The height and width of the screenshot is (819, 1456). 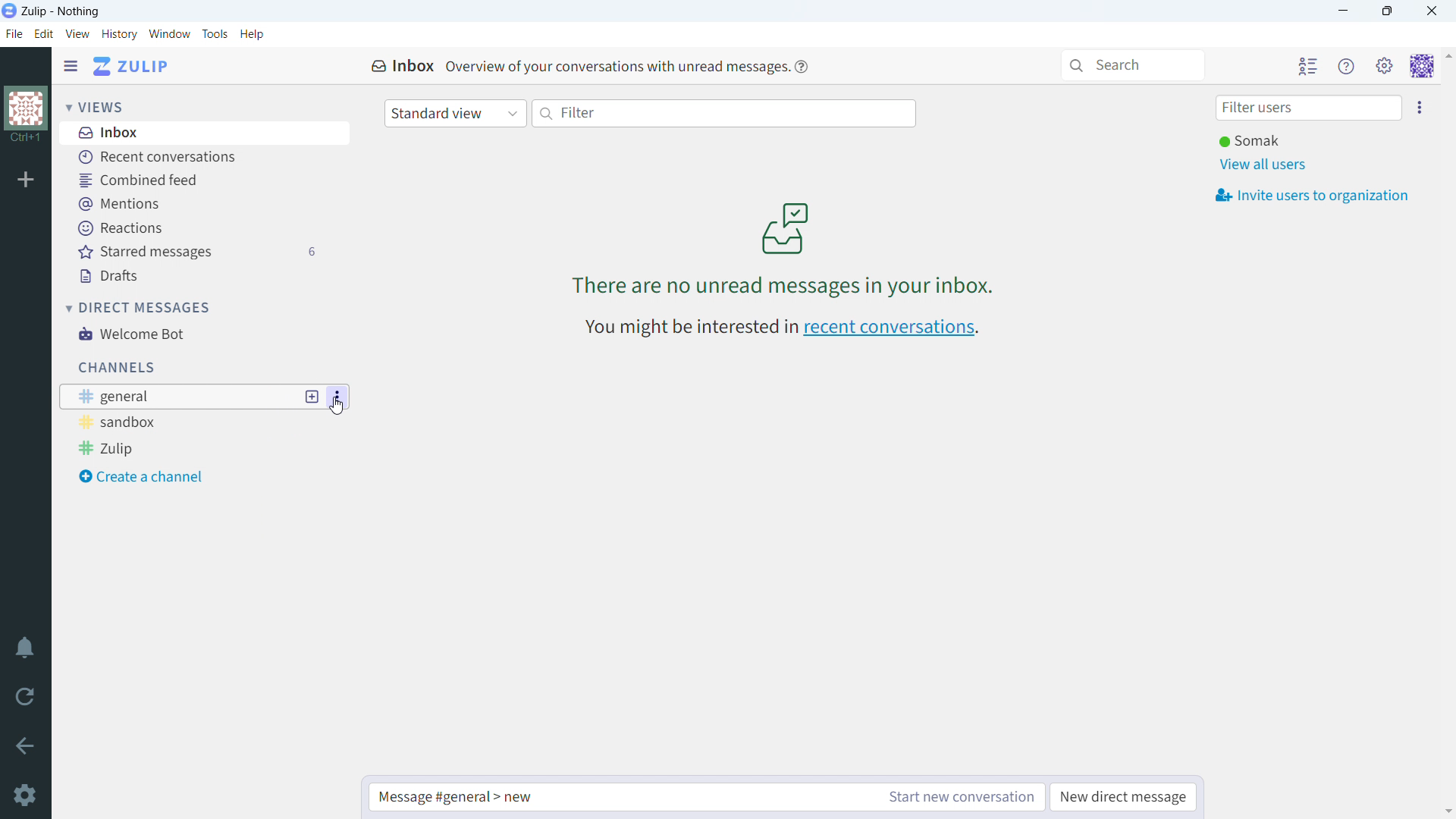 I want to click on channels, so click(x=116, y=368).